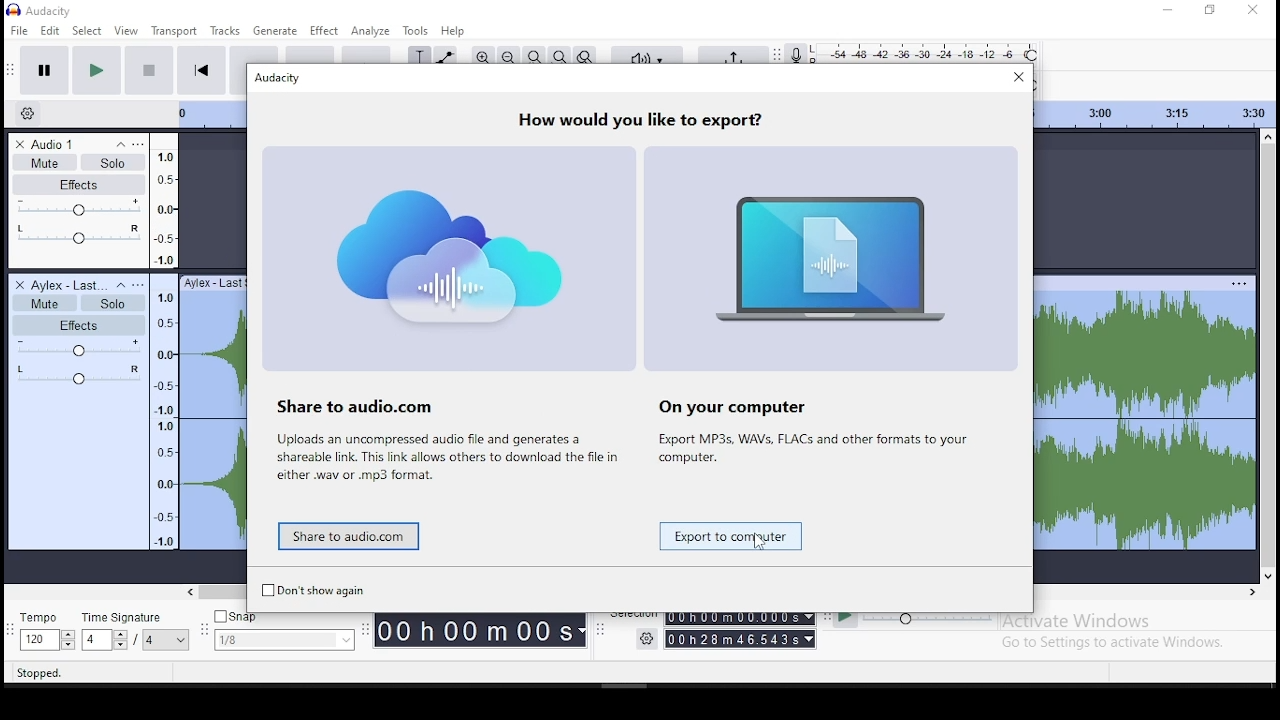 The image size is (1280, 720). I want to click on playback speed, so click(928, 621).